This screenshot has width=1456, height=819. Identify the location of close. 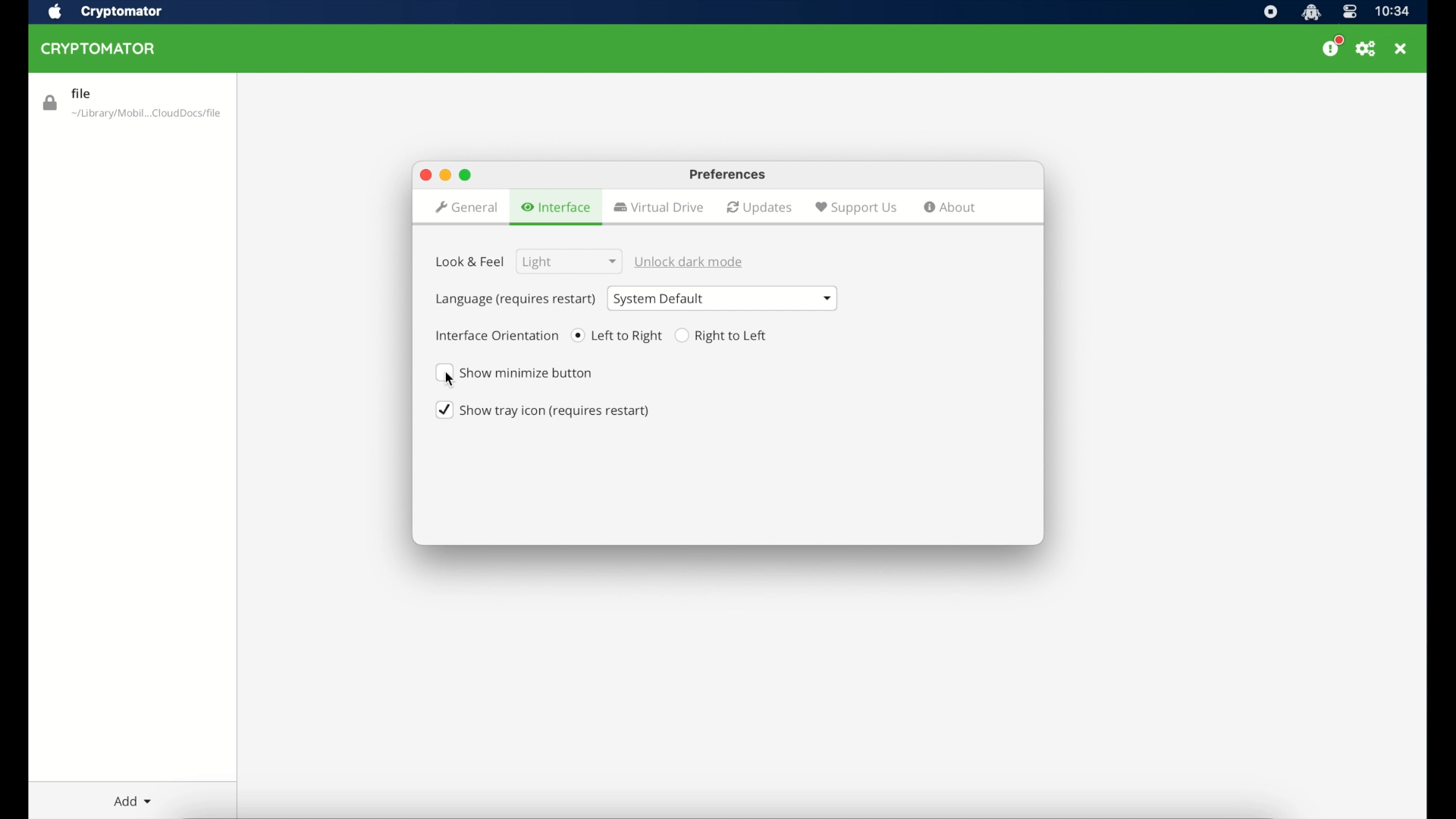
(1402, 48).